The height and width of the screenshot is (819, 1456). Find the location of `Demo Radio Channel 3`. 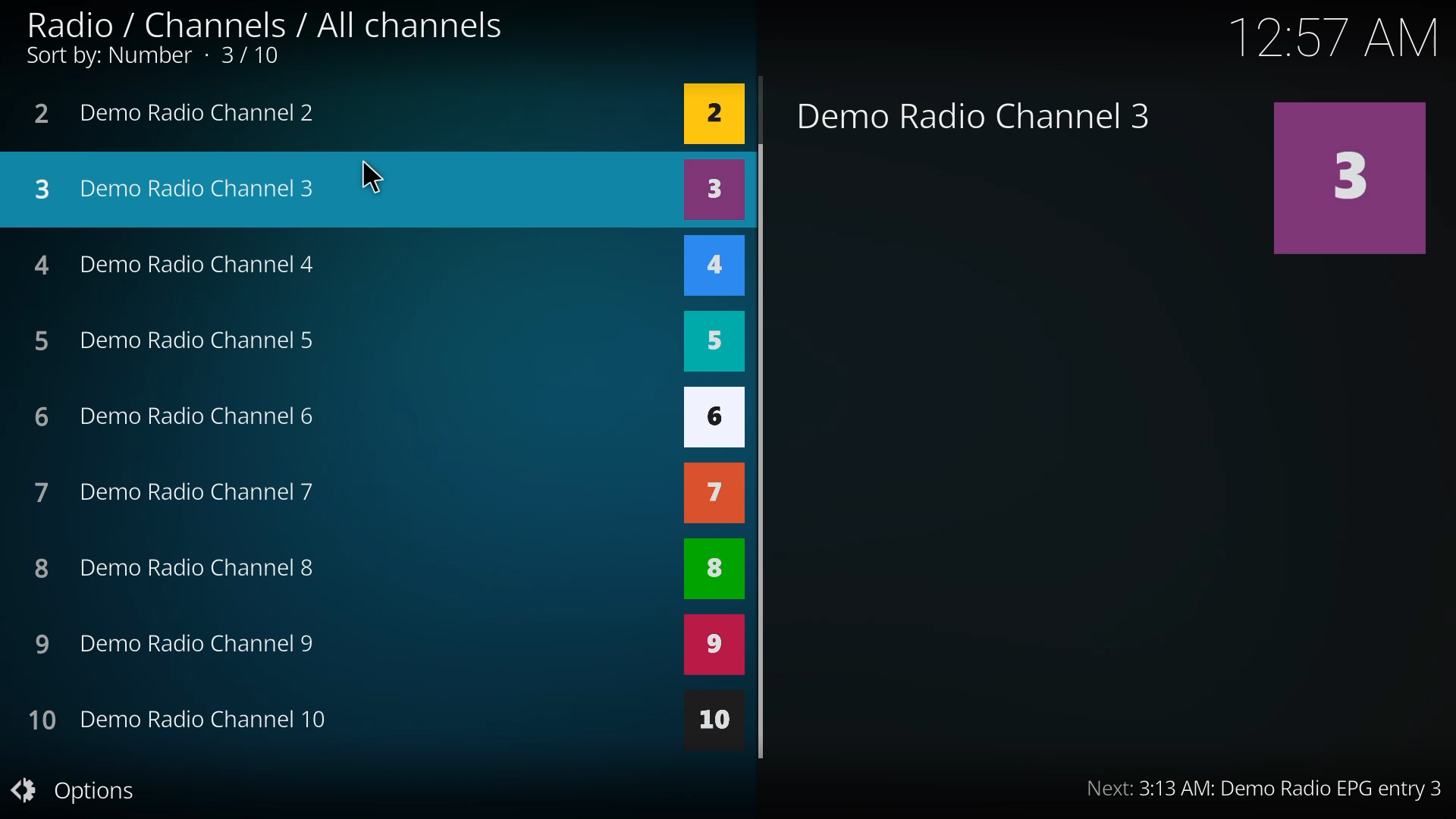

Demo Radio Channel 3 is located at coordinates (968, 115).